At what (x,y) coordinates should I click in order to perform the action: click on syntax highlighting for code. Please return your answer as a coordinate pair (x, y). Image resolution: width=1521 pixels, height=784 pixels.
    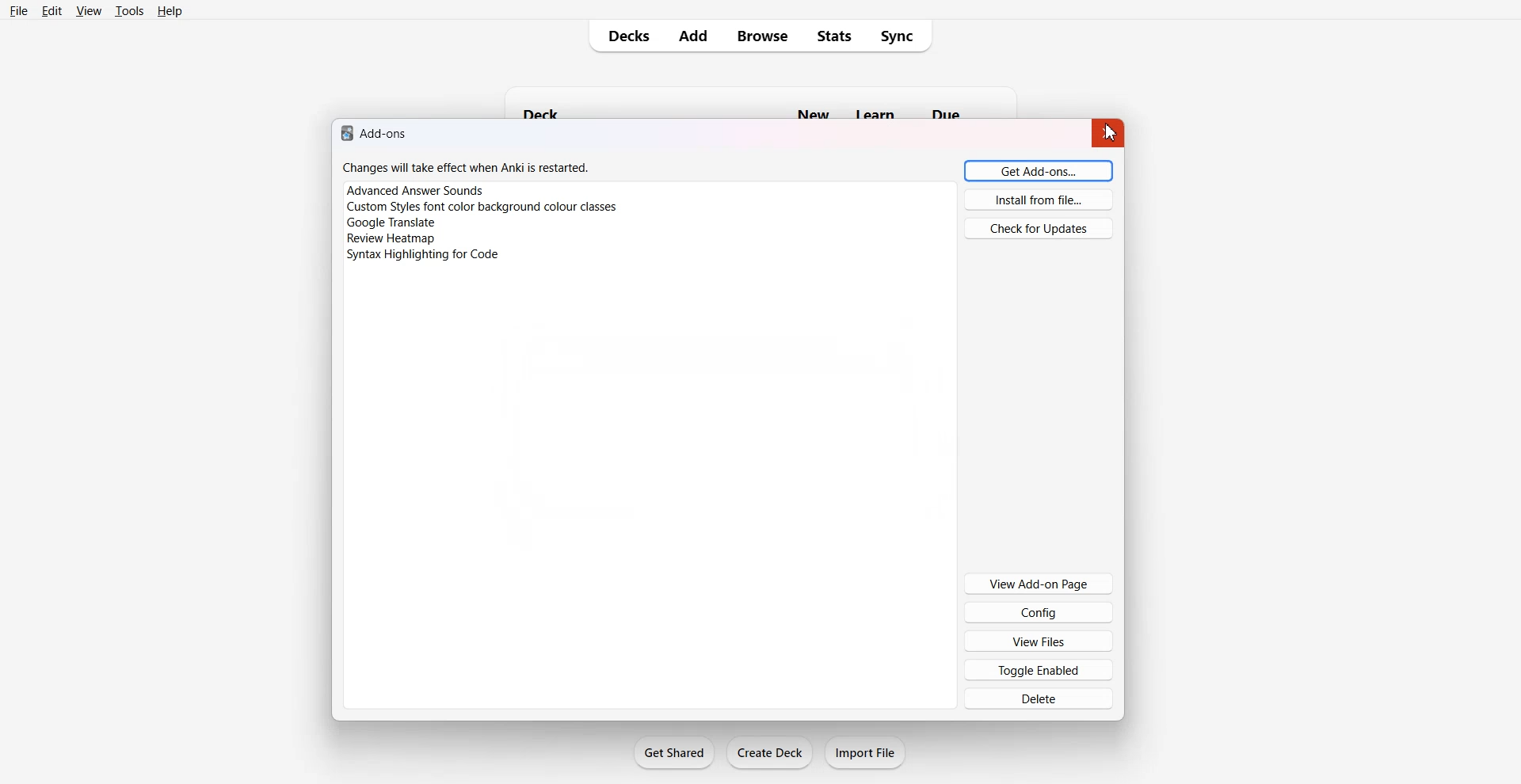
    Looking at the image, I should click on (425, 255).